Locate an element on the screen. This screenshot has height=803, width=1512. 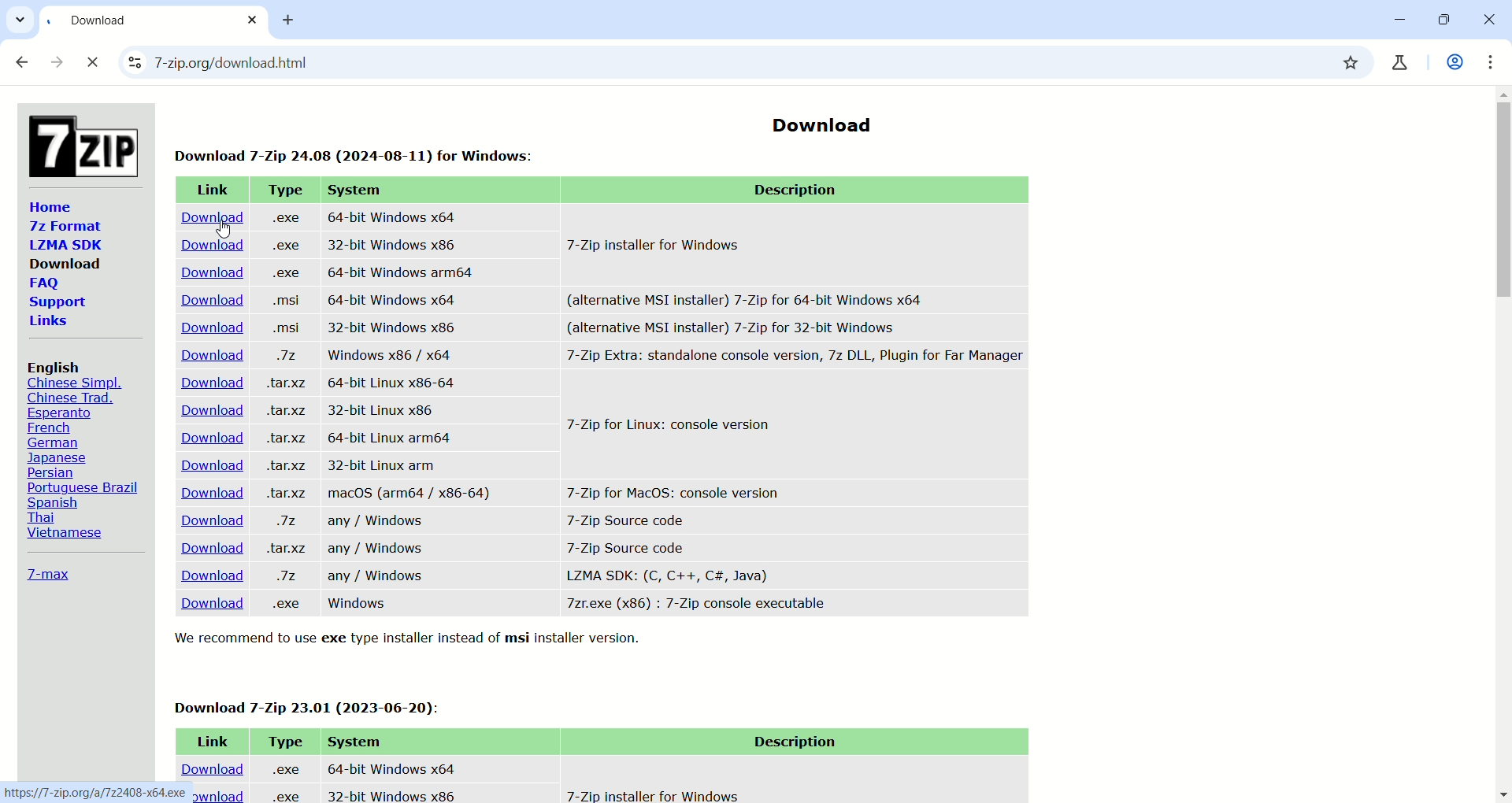
64-bit Windows x64 is located at coordinates (388, 765).